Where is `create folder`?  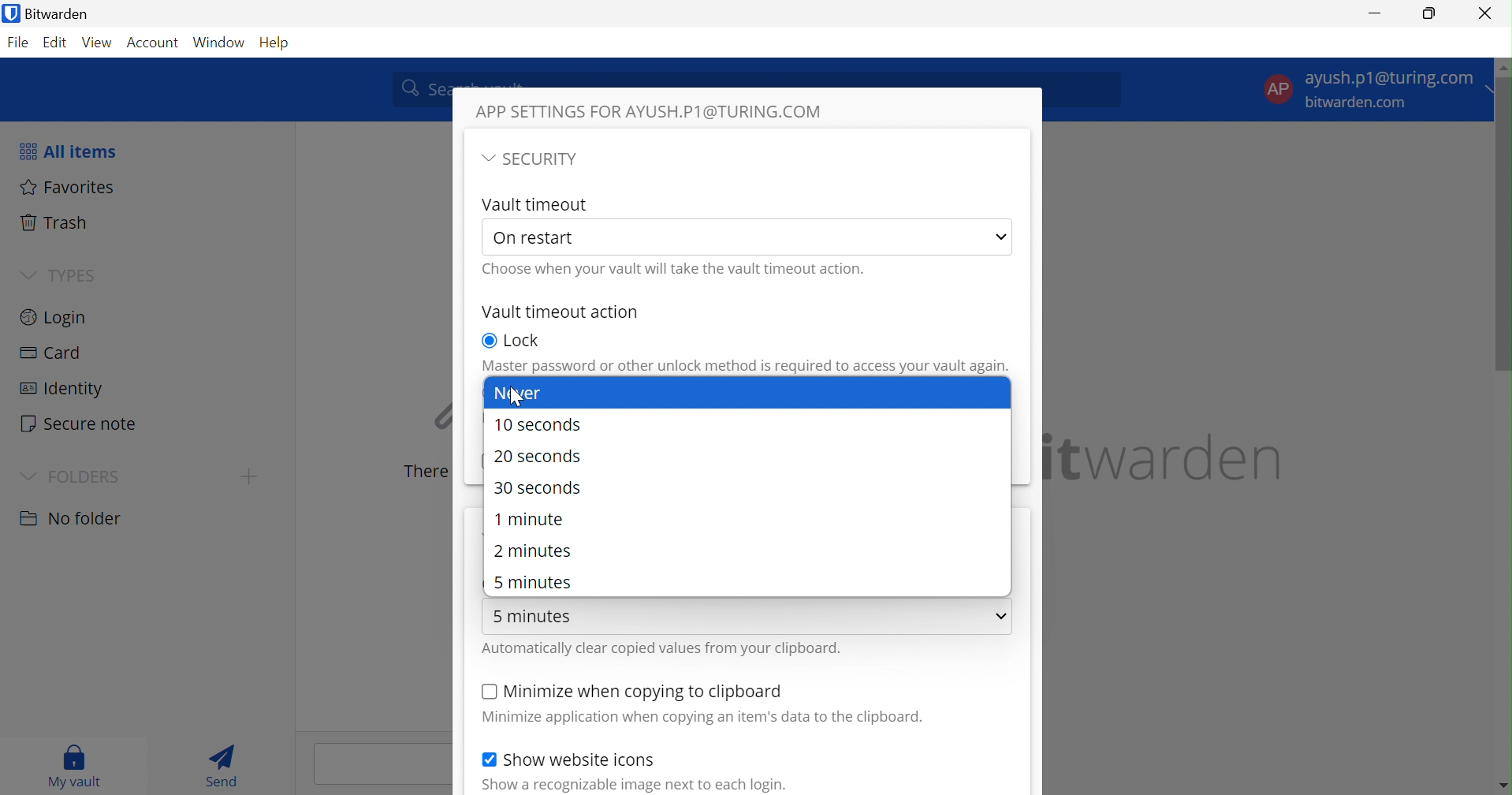 create folder is located at coordinates (248, 476).